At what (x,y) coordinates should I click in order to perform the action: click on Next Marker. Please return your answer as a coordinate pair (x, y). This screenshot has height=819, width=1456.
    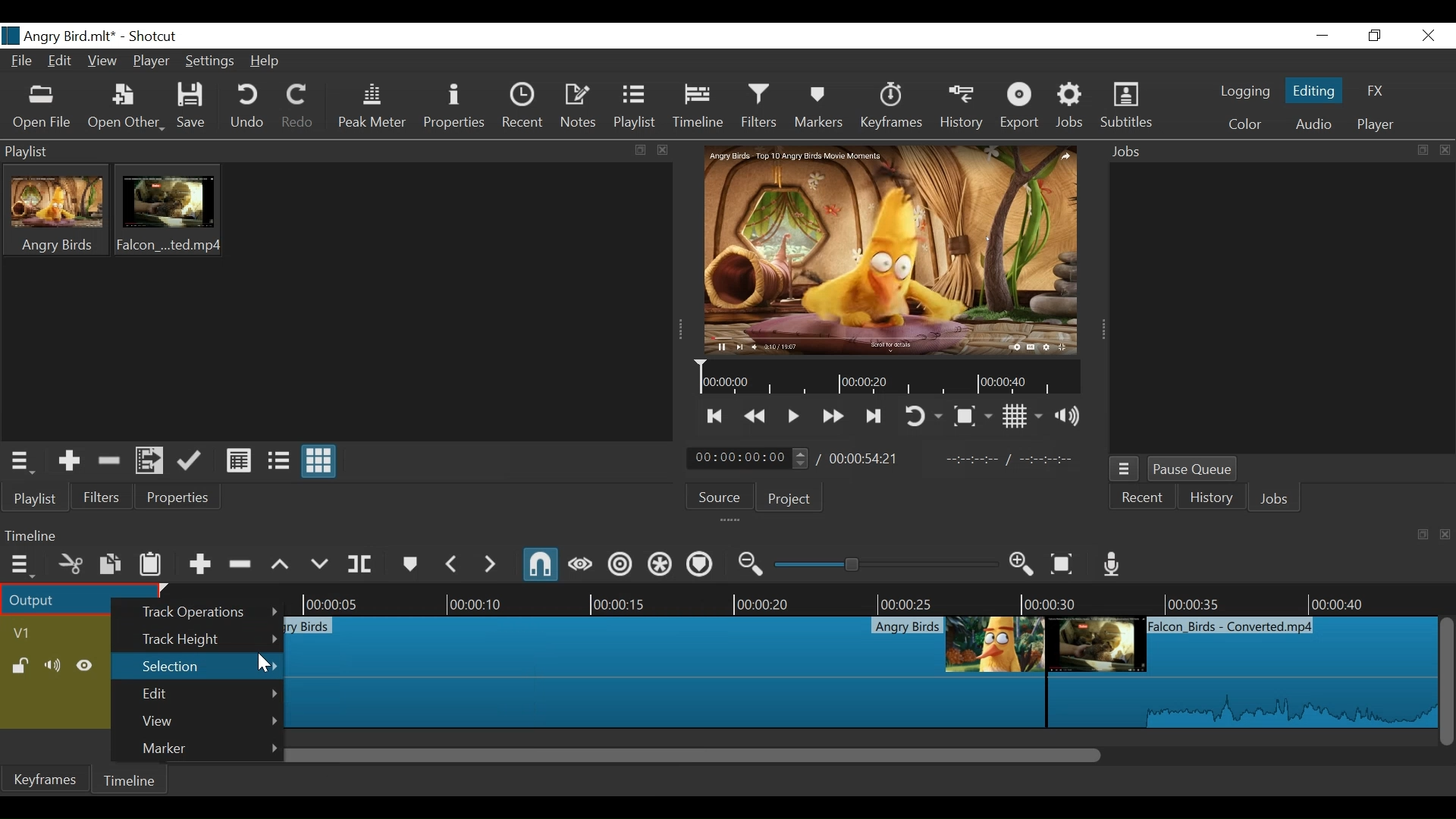
    Looking at the image, I should click on (491, 565).